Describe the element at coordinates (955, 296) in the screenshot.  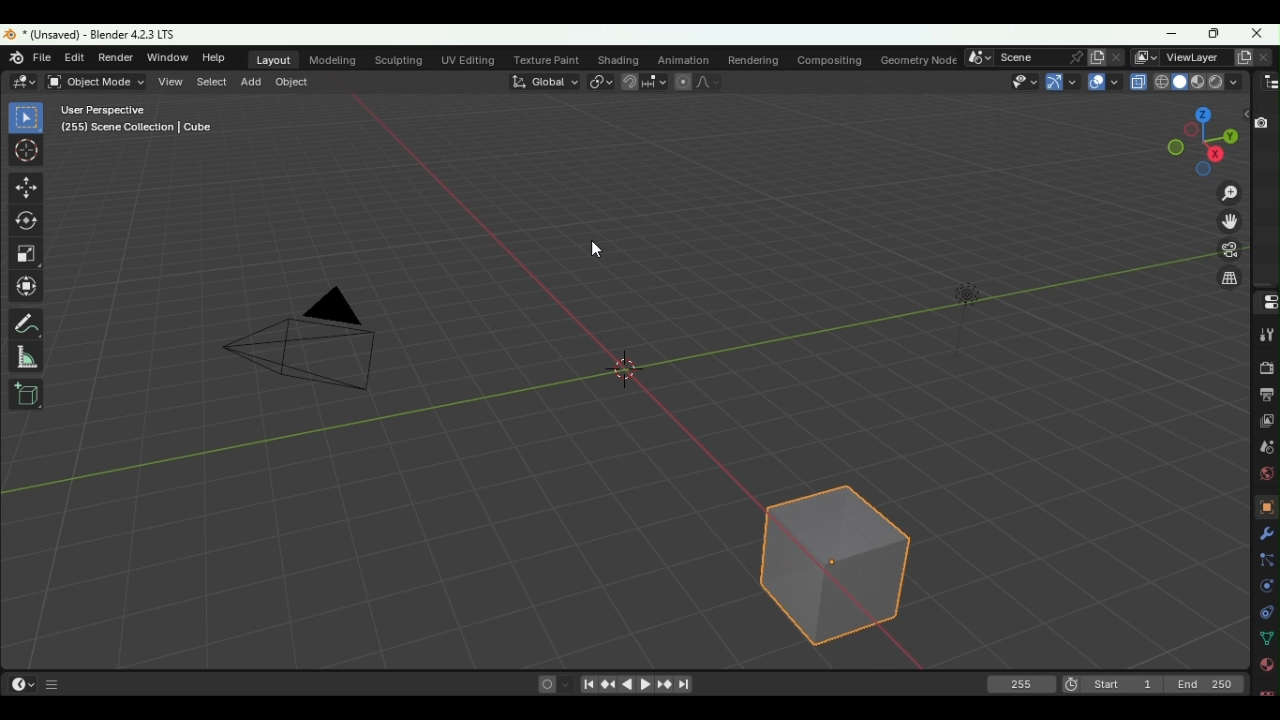
I see `lght source` at that location.